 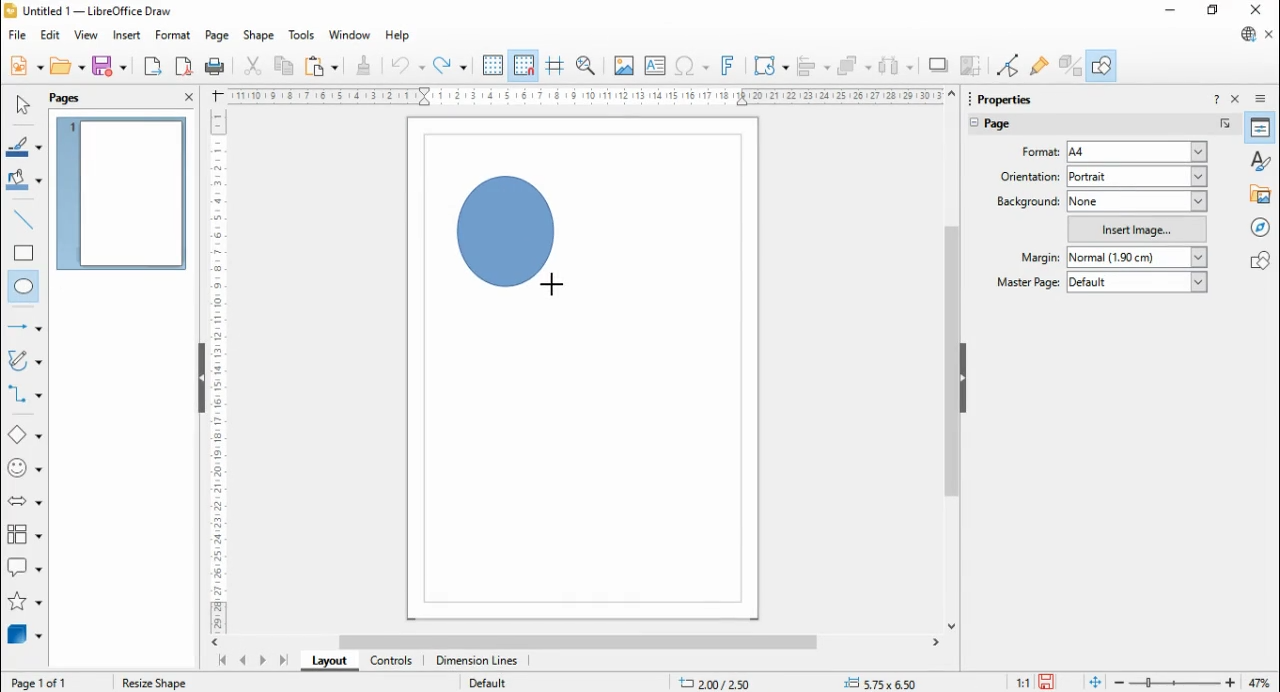 What do you see at coordinates (973, 66) in the screenshot?
I see `crop image` at bounding box center [973, 66].